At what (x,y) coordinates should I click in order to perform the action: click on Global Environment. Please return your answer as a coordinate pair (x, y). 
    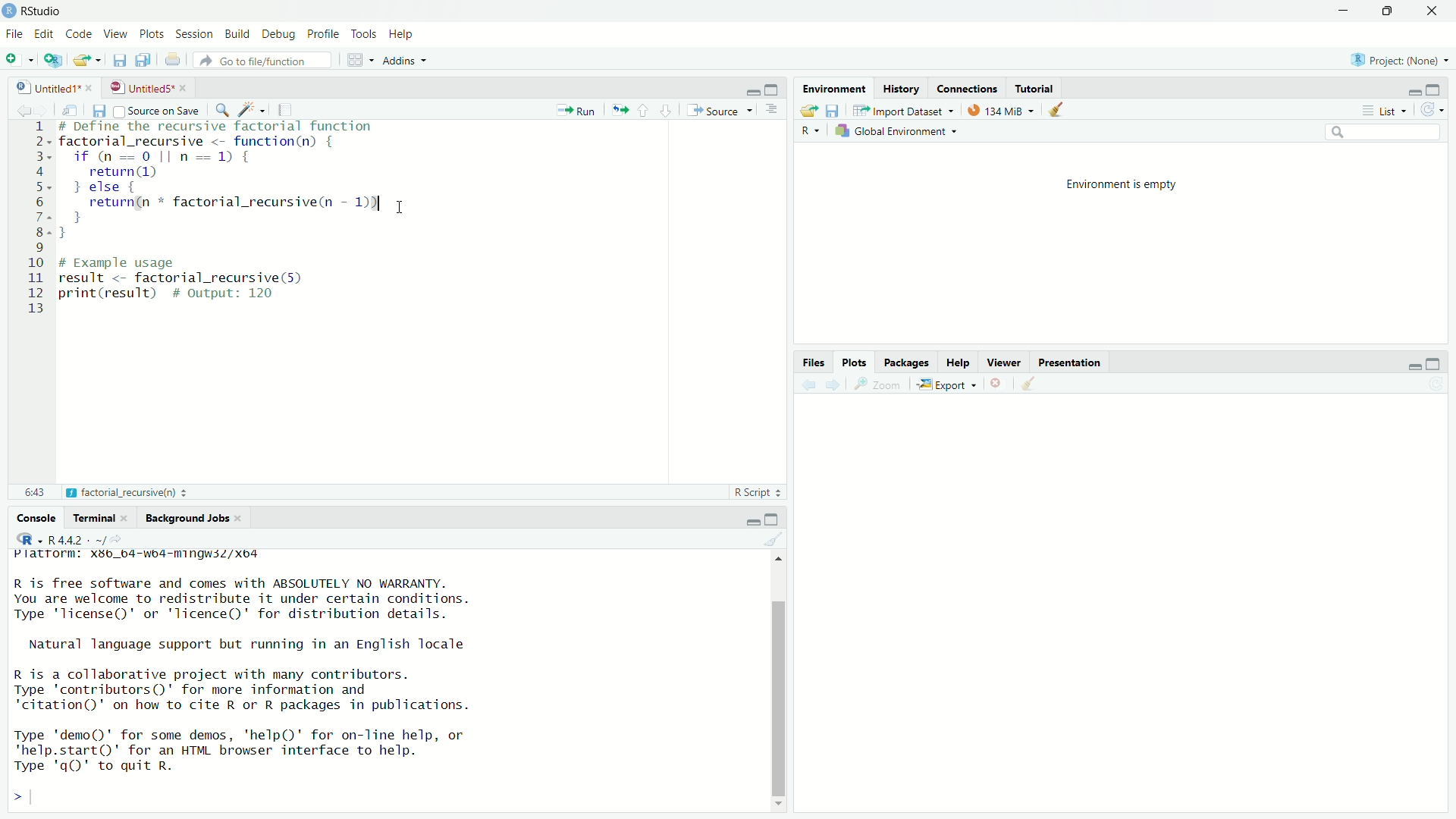
    Looking at the image, I should click on (901, 133).